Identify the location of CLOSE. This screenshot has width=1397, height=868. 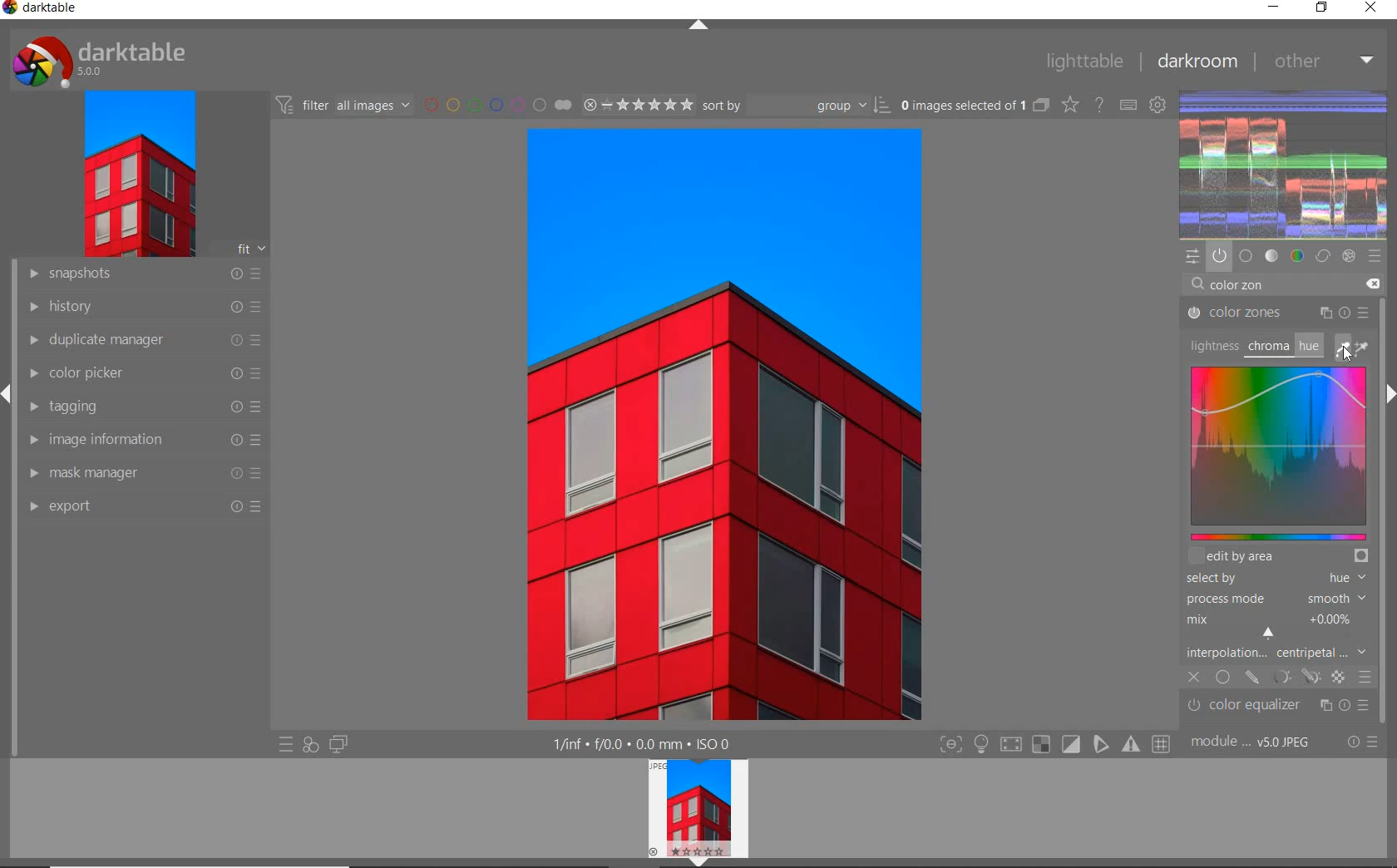
(1194, 678).